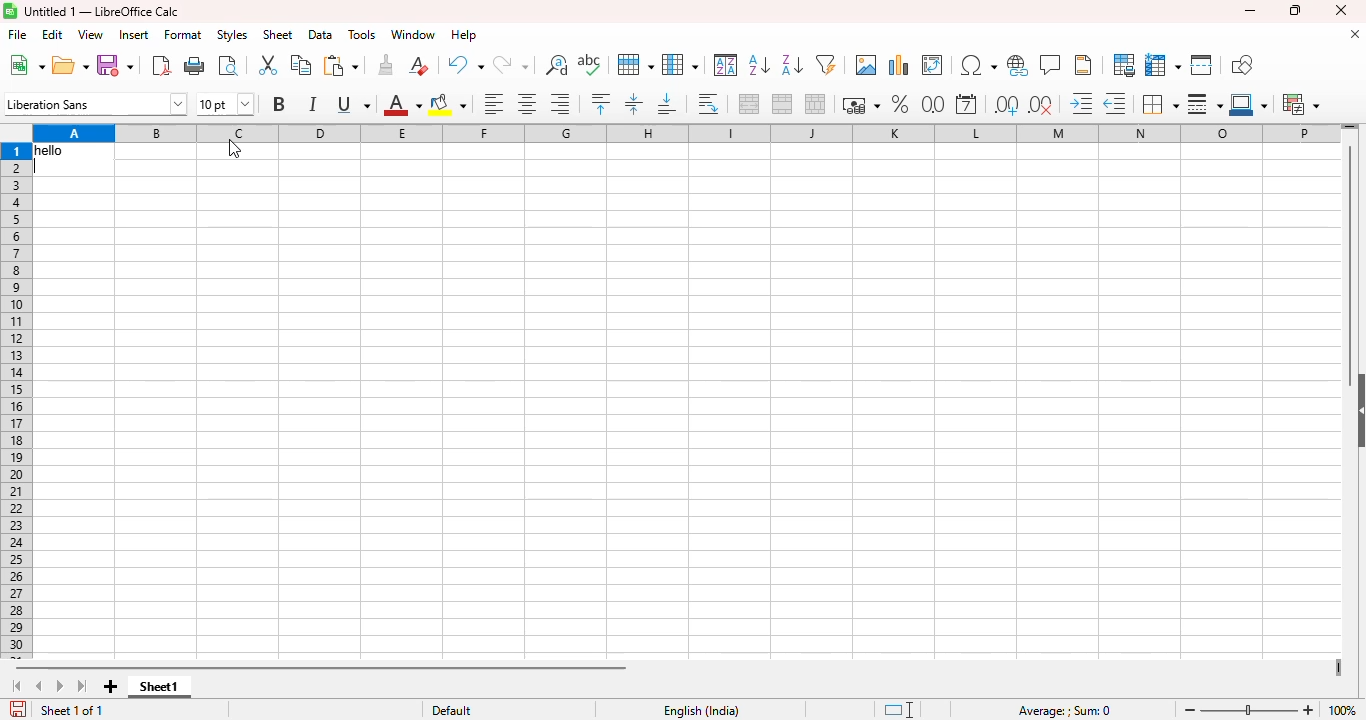 The width and height of the screenshot is (1366, 720). Describe the element at coordinates (526, 103) in the screenshot. I see `align center` at that location.